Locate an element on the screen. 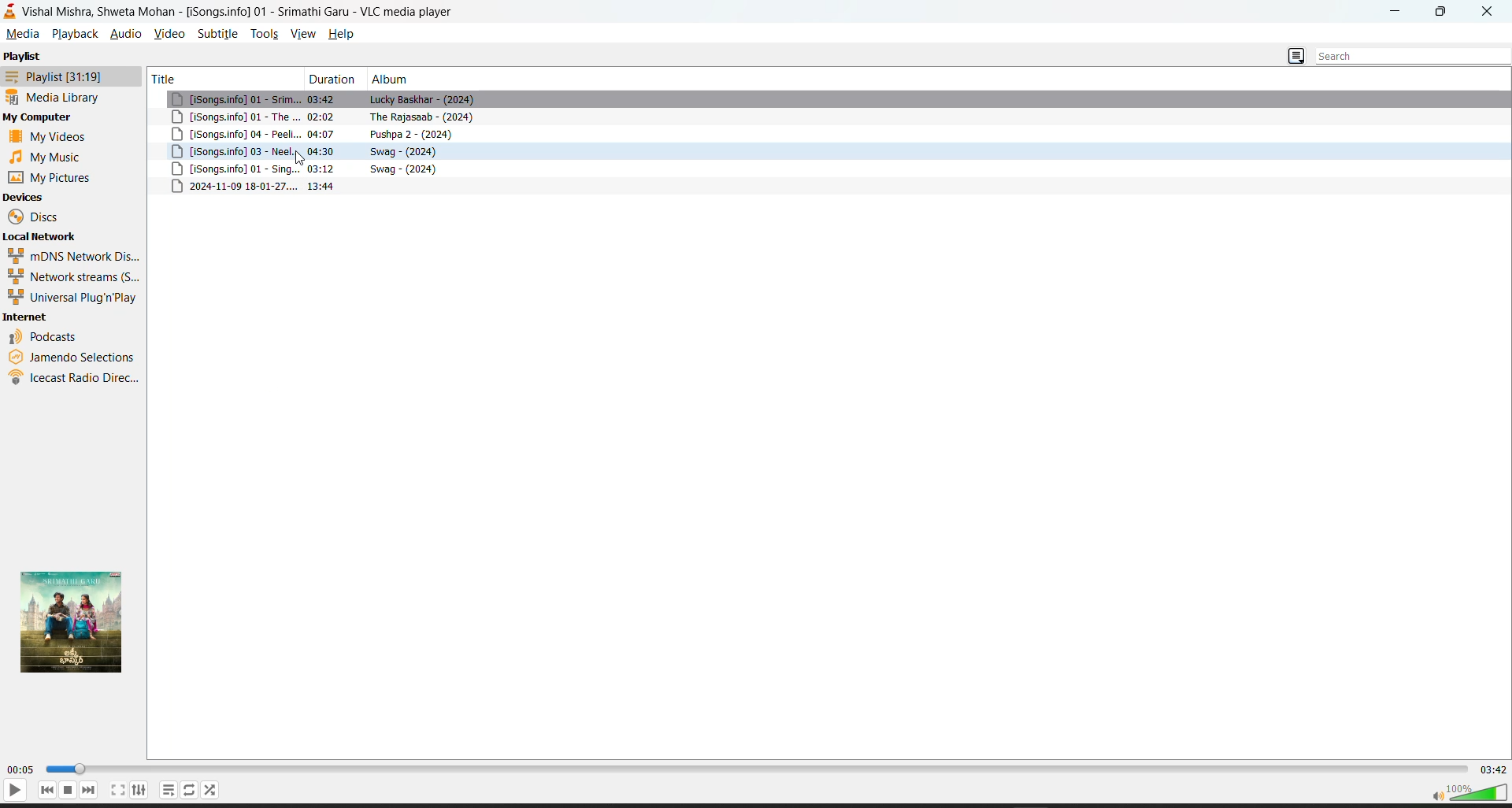 This screenshot has width=1512, height=808. duration is located at coordinates (333, 78).